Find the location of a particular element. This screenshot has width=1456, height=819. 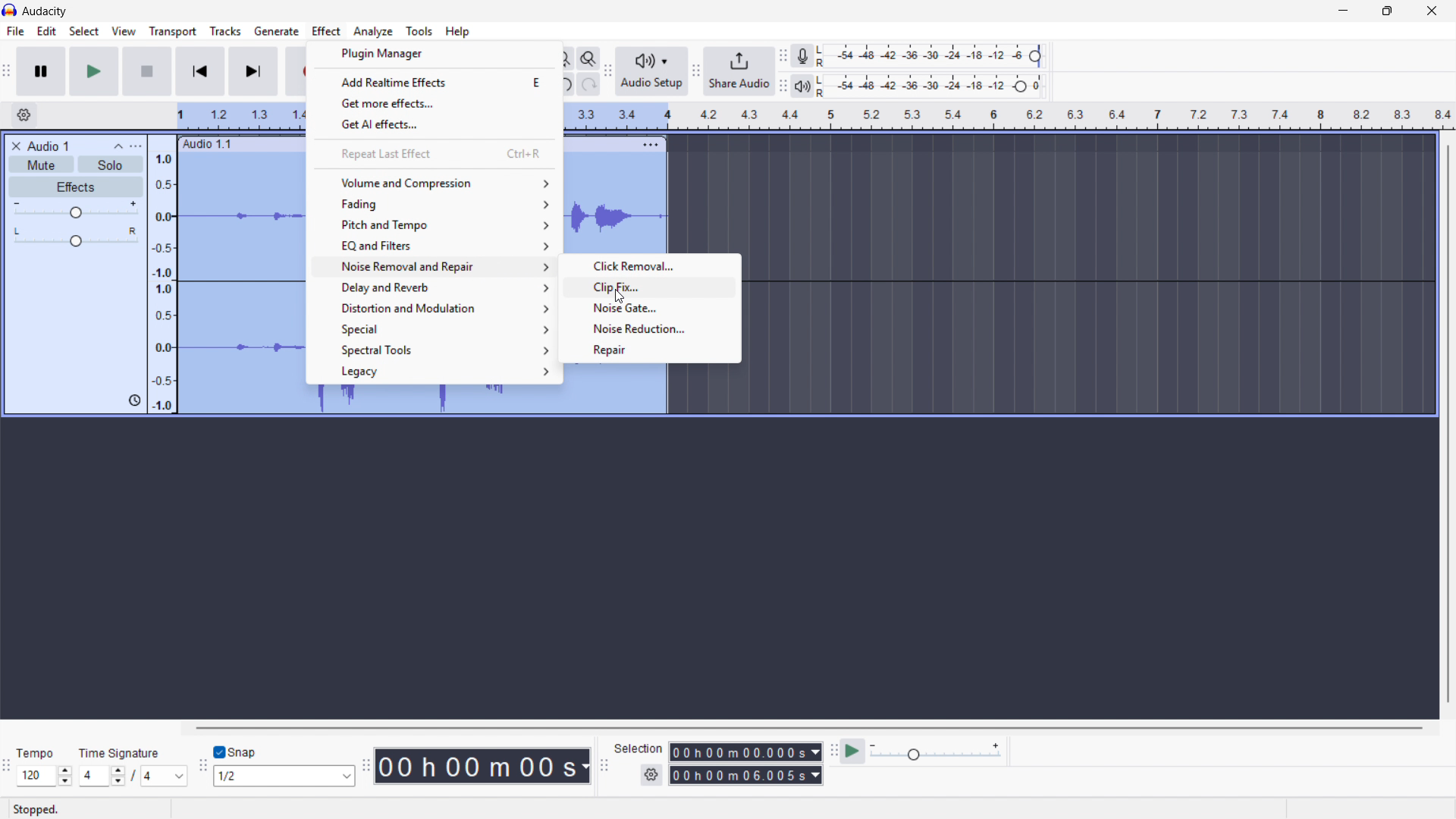

Legacy  is located at coordinates (431, 372).